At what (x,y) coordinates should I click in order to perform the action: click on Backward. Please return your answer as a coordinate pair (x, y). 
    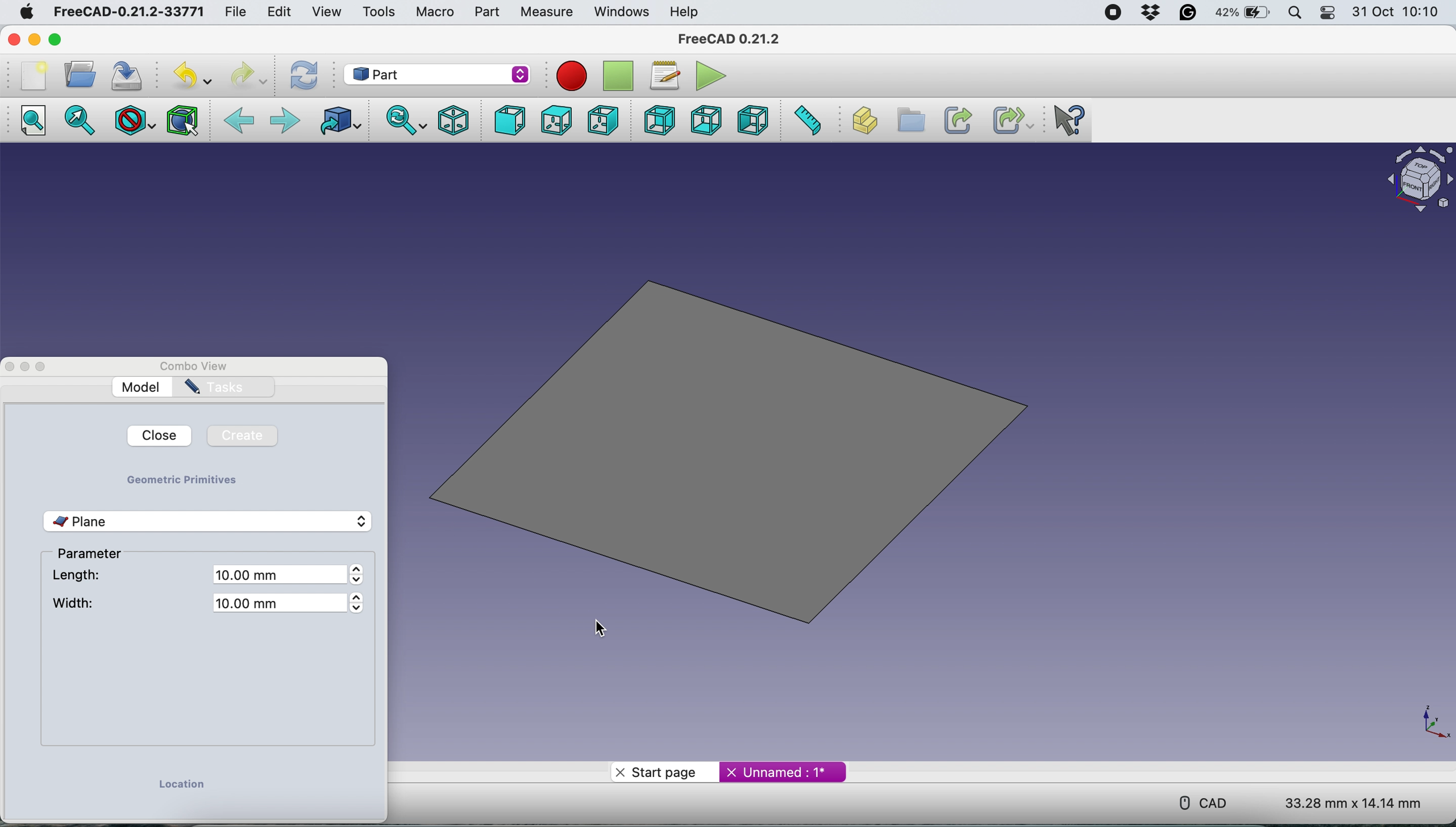
    Looking at the image, I should click on (240, 119).